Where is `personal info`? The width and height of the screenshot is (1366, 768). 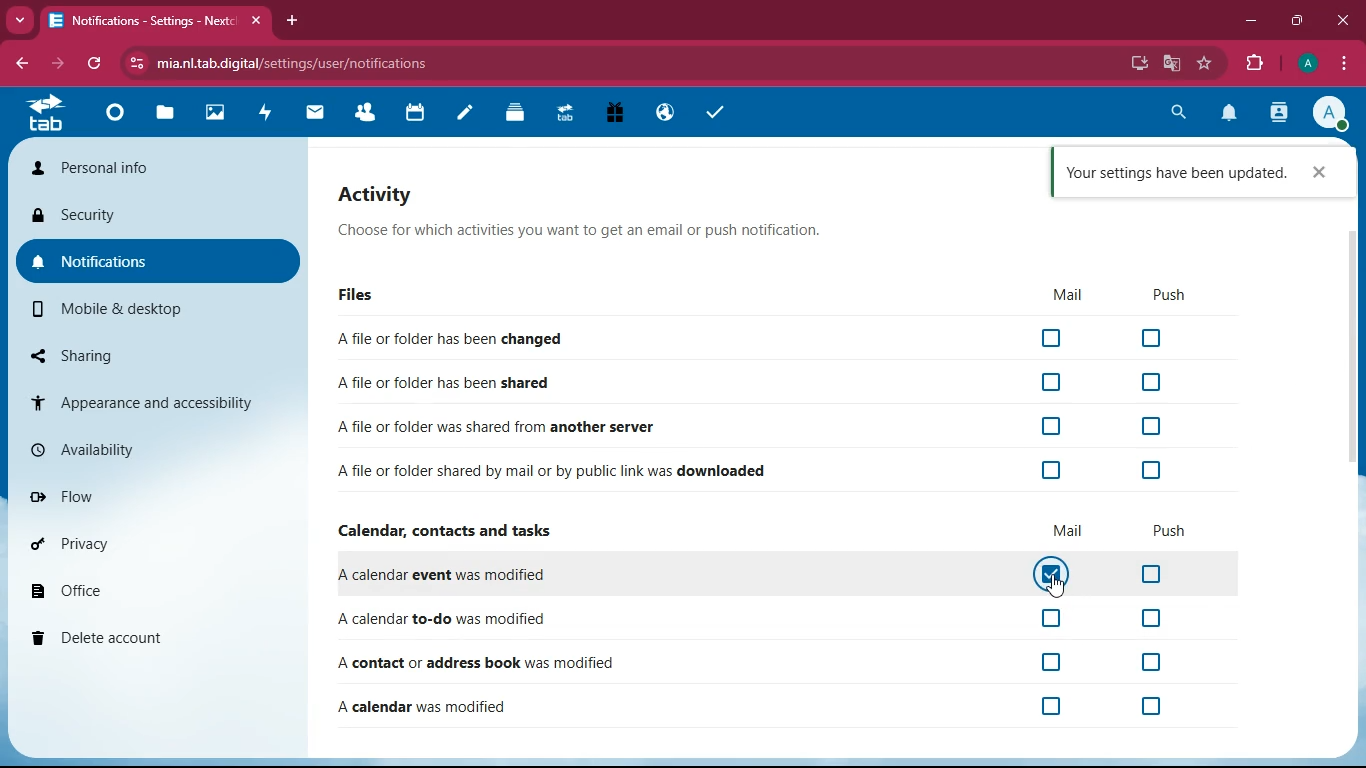 personal info is located at coordinates (160, 167).